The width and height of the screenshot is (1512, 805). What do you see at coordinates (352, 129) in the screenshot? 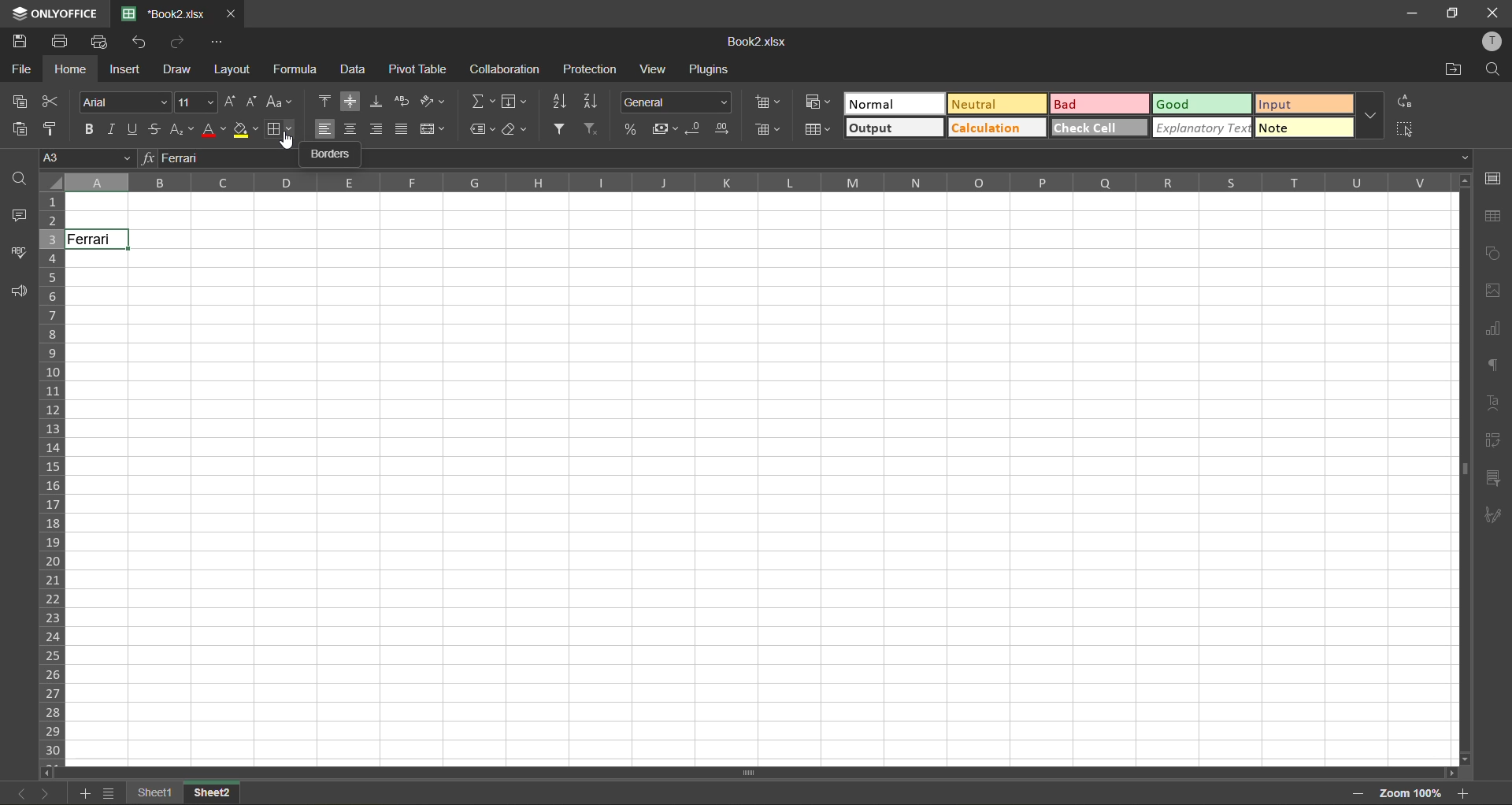
I see `align center` at bounding box center [352, 129].